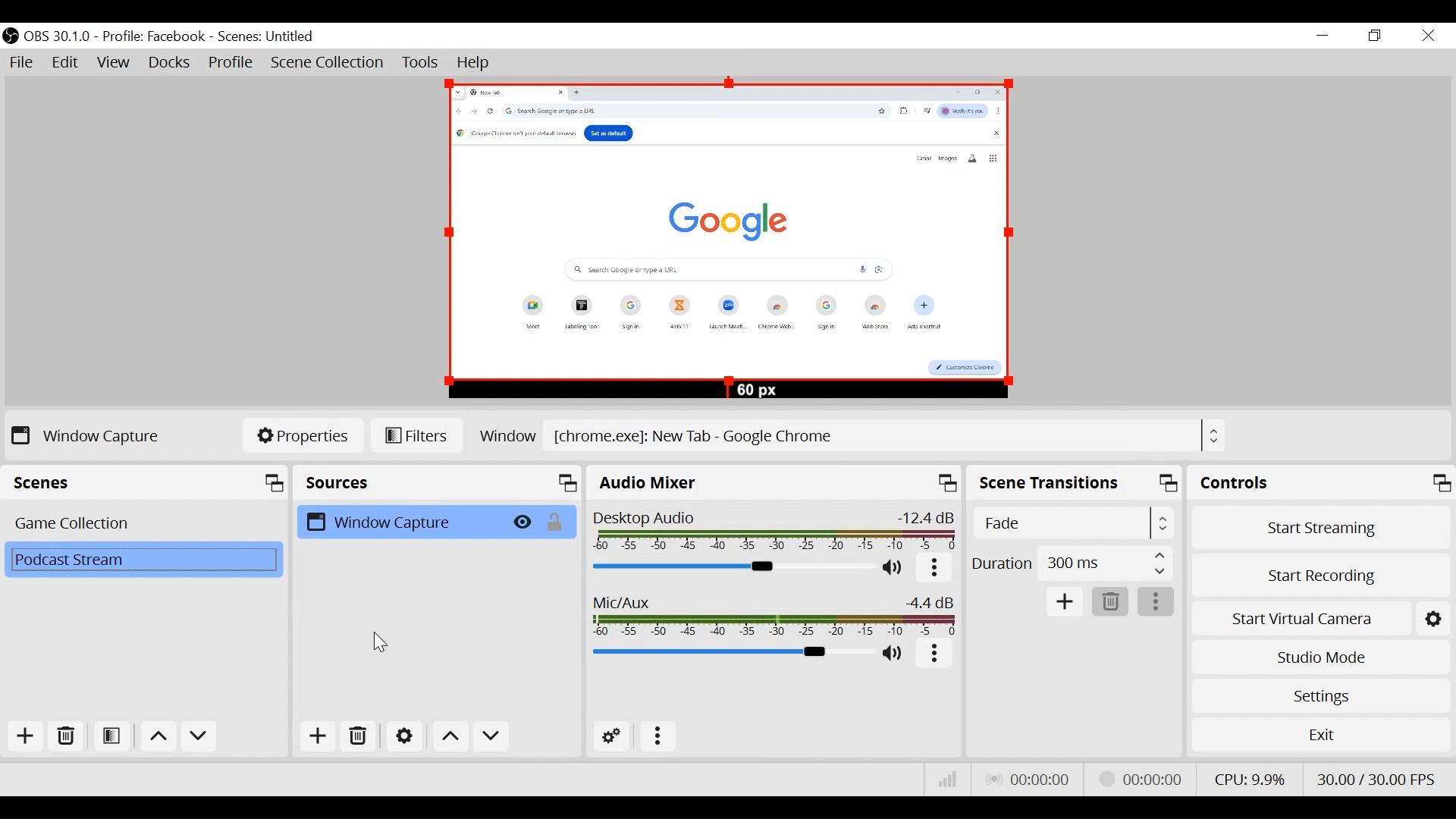 This screenshot has height=819, width=1456. What do you see at coordinates (231, 63) in the screenshot?
I see `Profile` at bounding box center [231, 63].